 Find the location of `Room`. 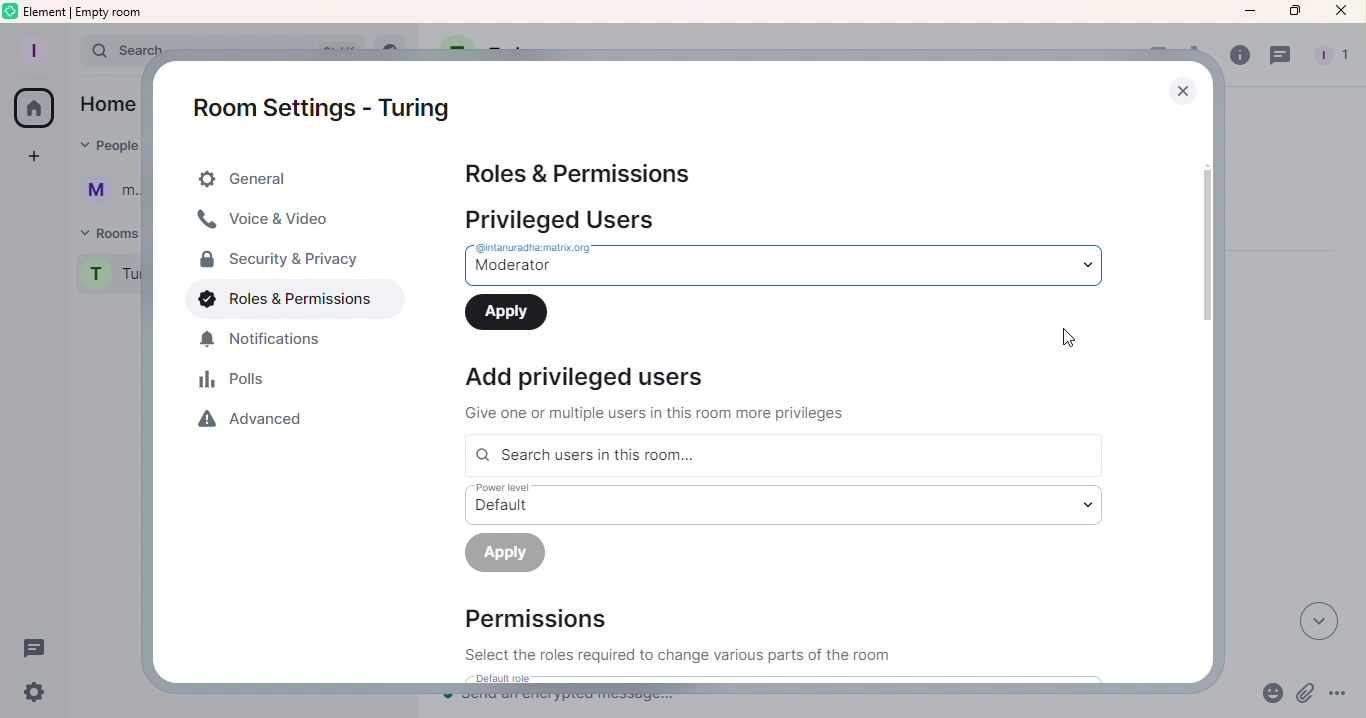

Room is located at coordinates (104, 278).